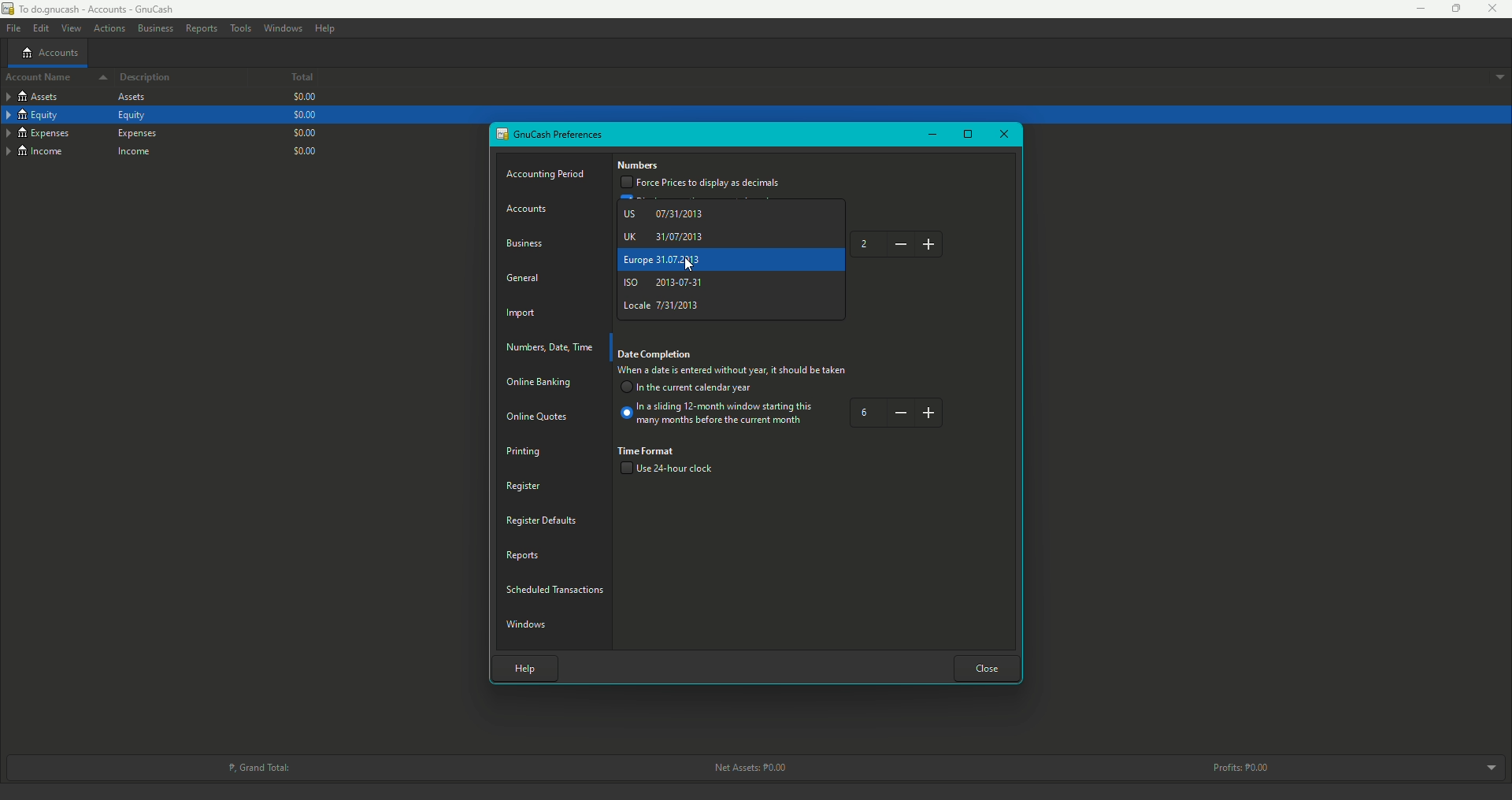 This screenshot has height=800, width=1512. Describe the element at coordinates (201, 28) in the screenshot. I see `Reports` at that location.